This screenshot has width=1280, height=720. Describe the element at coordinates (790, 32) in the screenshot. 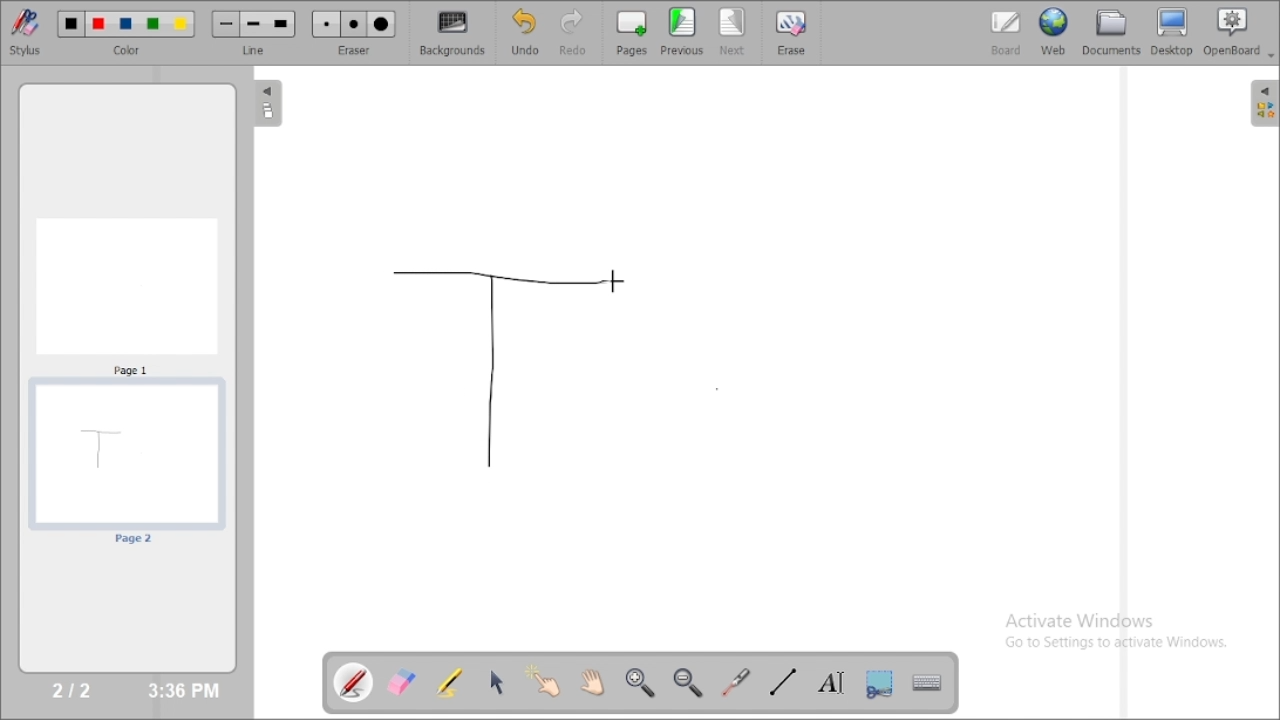

I see `erase` at that location.